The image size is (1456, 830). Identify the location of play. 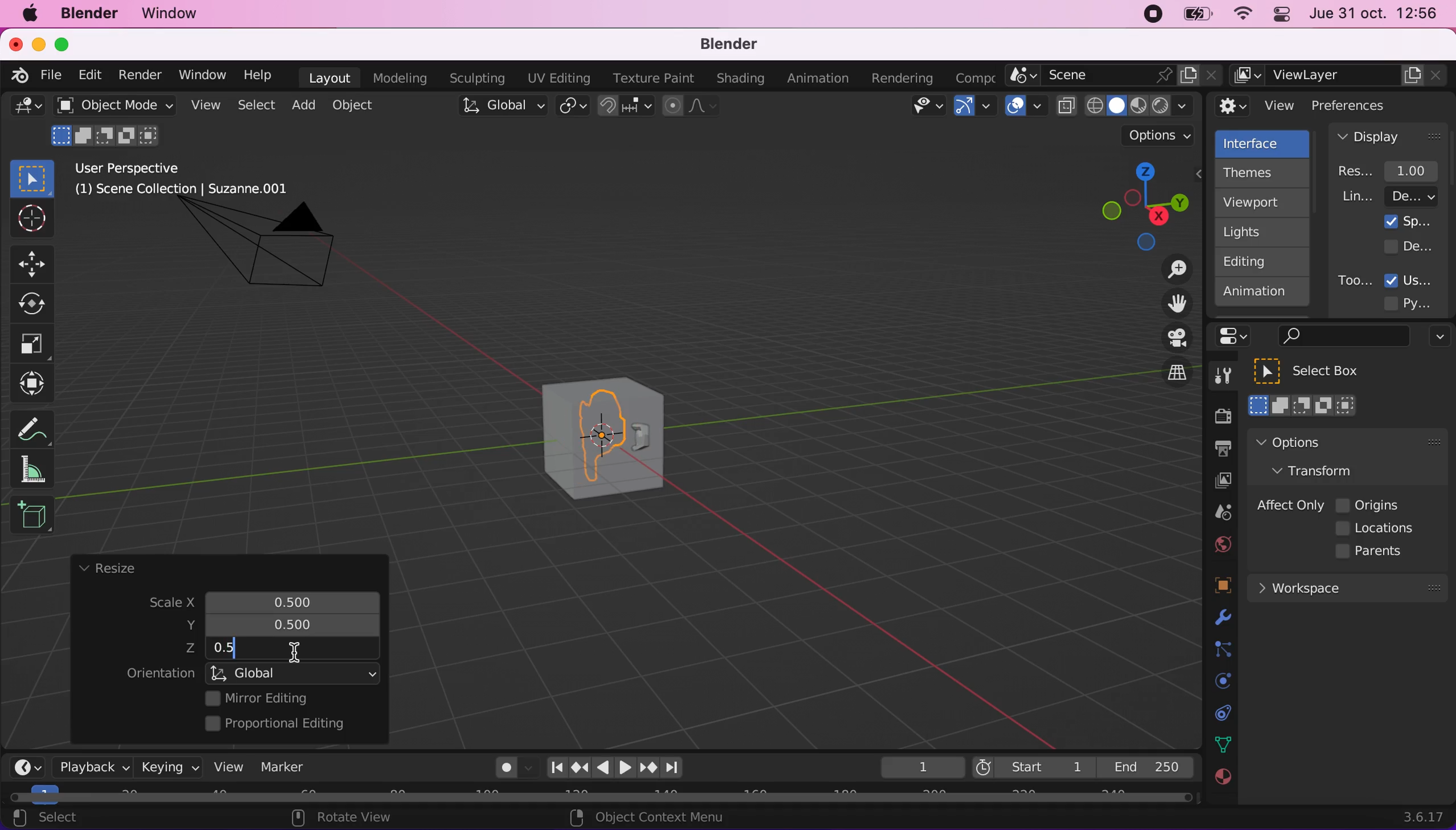
(615, 768).